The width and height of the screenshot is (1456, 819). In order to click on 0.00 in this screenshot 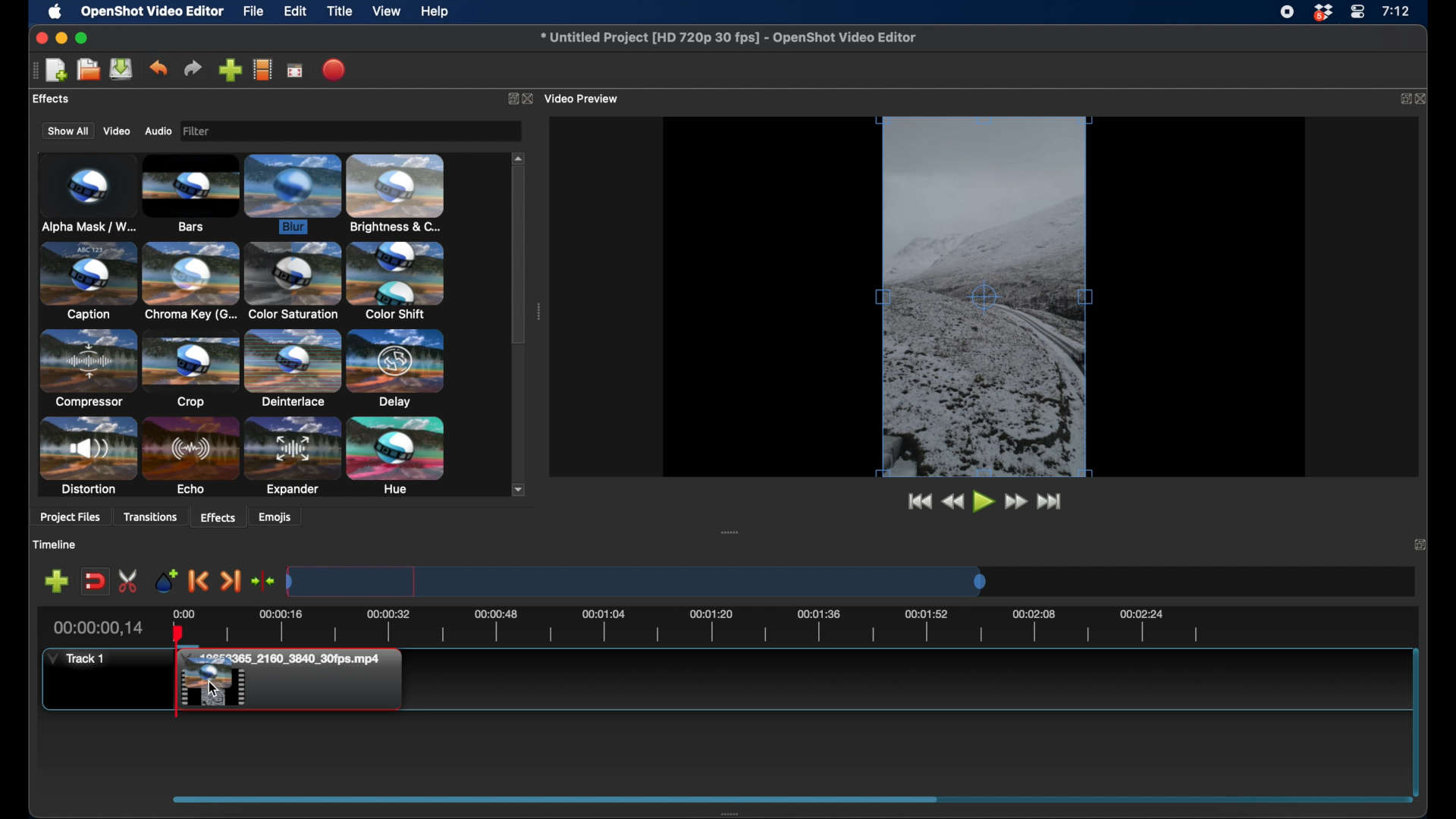, I will do `click(183, 613)`.